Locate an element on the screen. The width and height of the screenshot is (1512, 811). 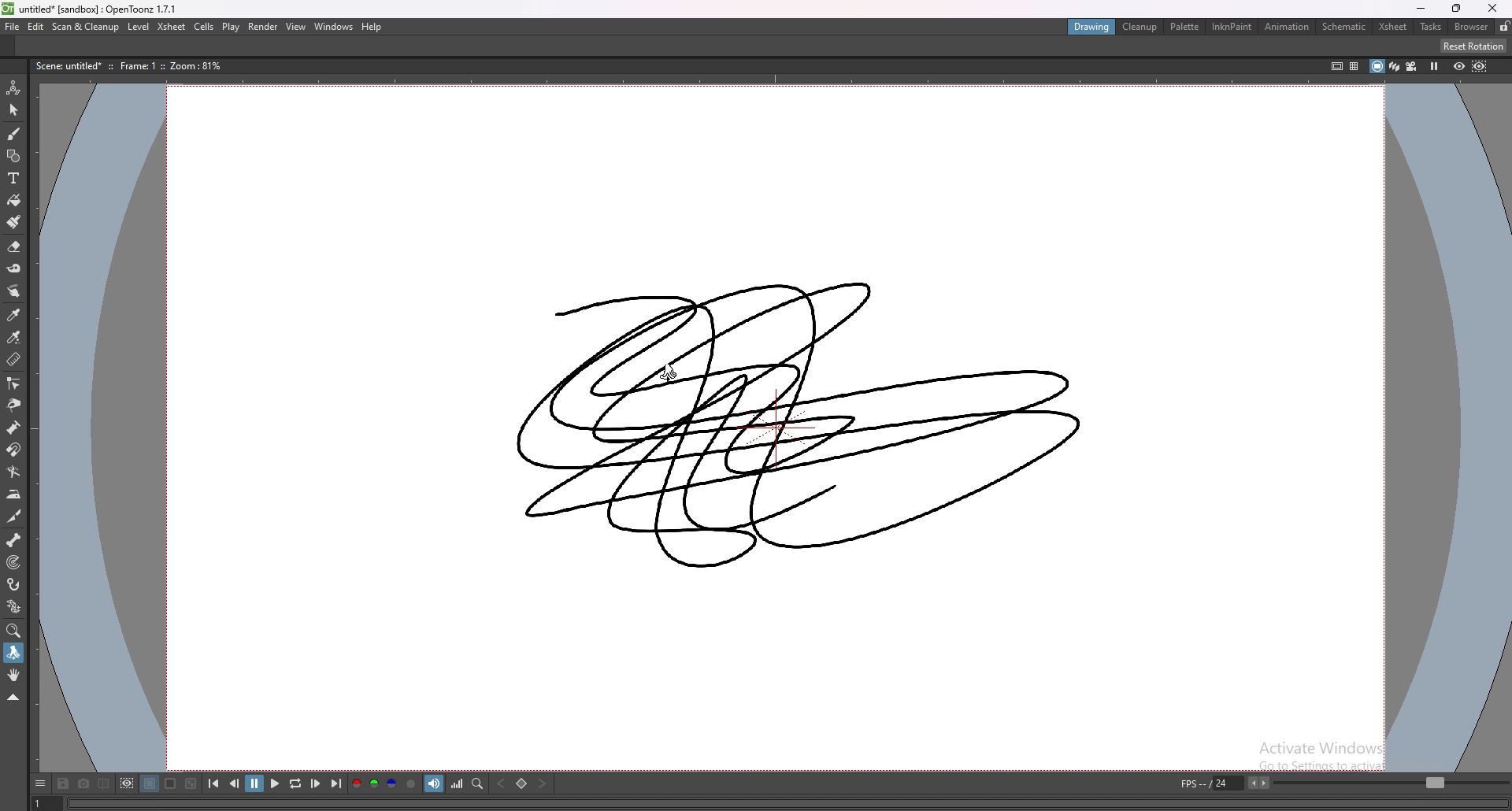
soundtrack is located at coordinates (434, 784).